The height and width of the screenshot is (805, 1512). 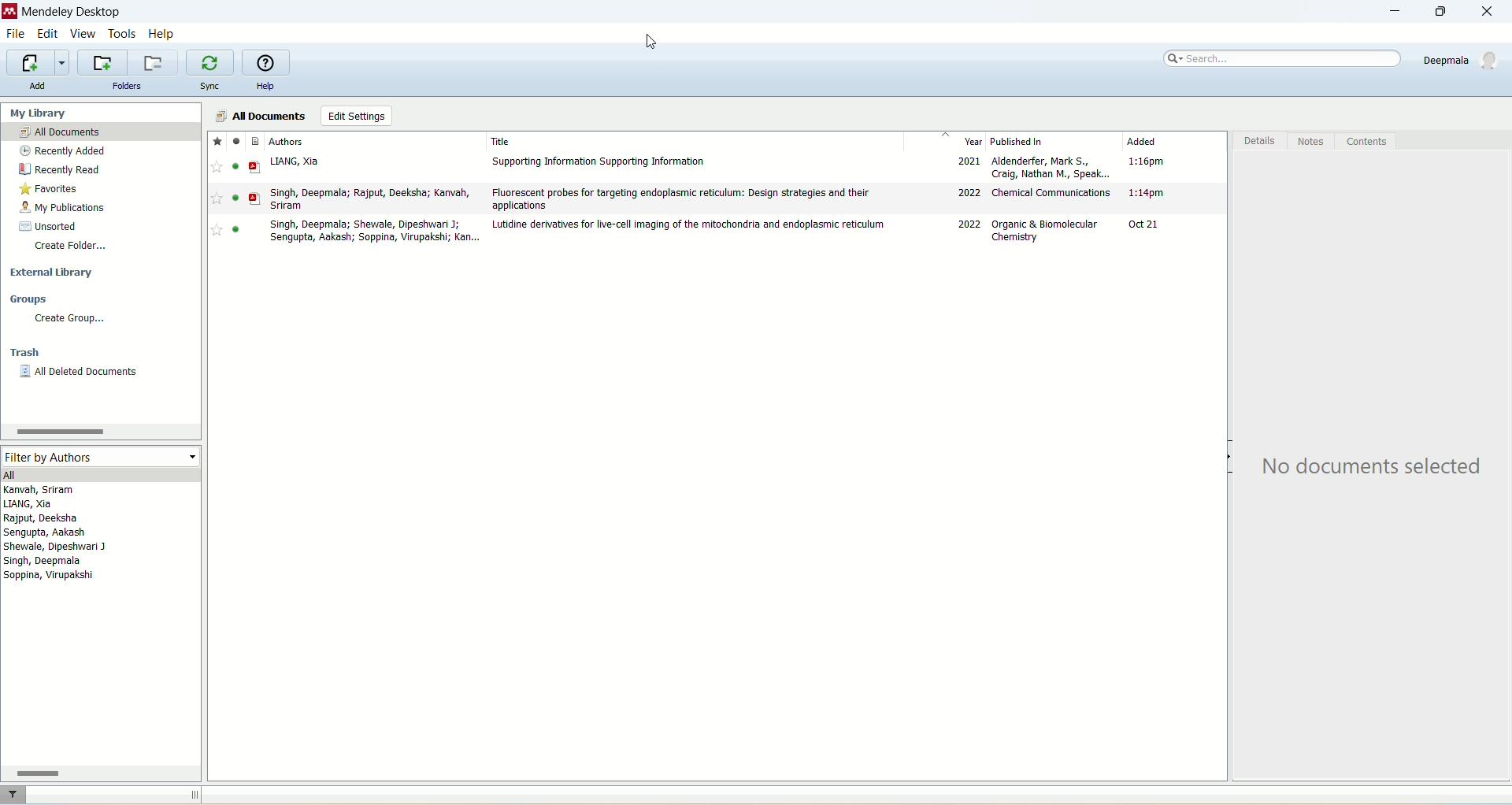 What do you see at coordinates (255, 165) in the screenshot?
I see `PDF` at bounding box center [255, 165].